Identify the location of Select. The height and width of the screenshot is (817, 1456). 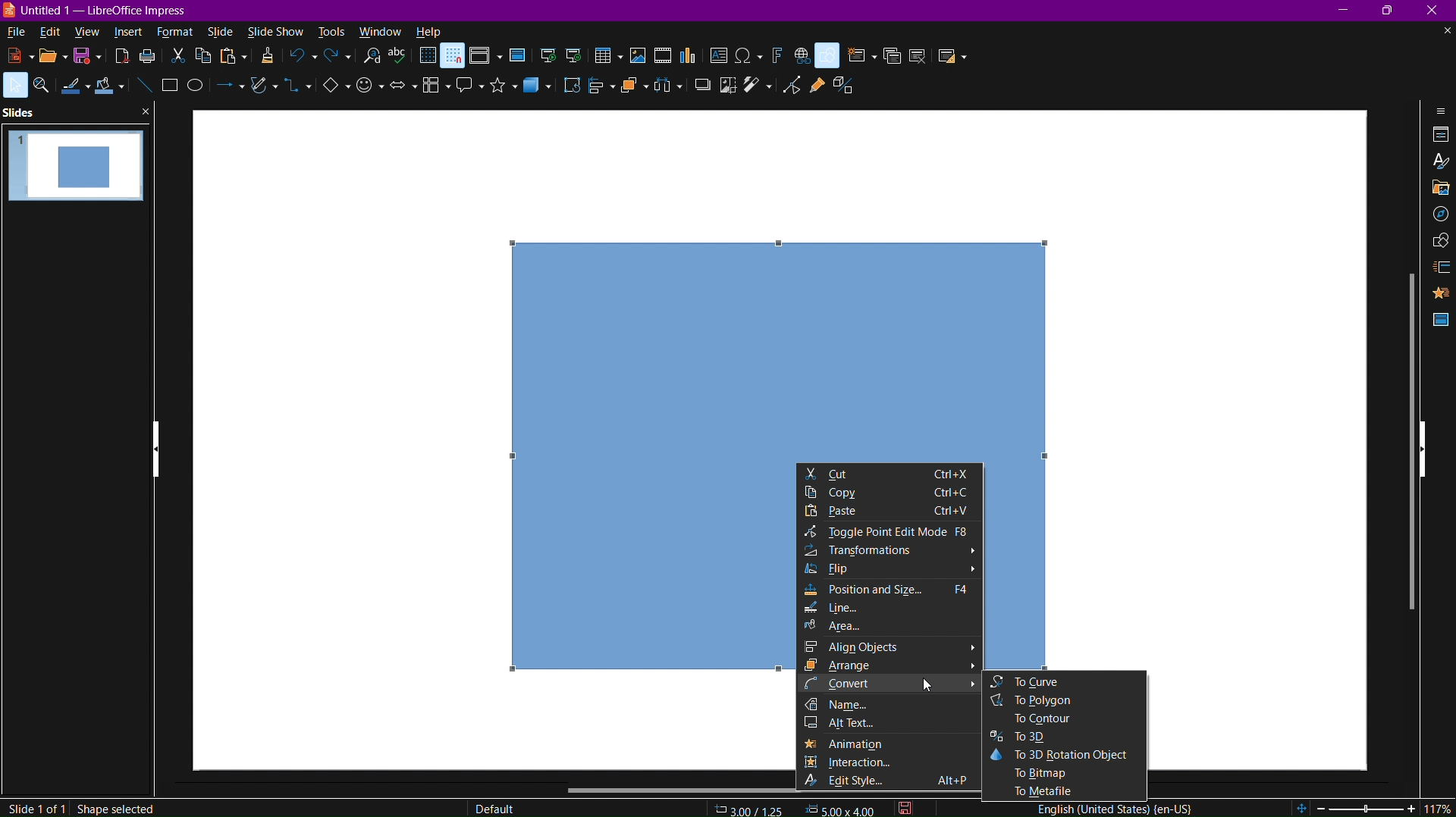
(14, 86).